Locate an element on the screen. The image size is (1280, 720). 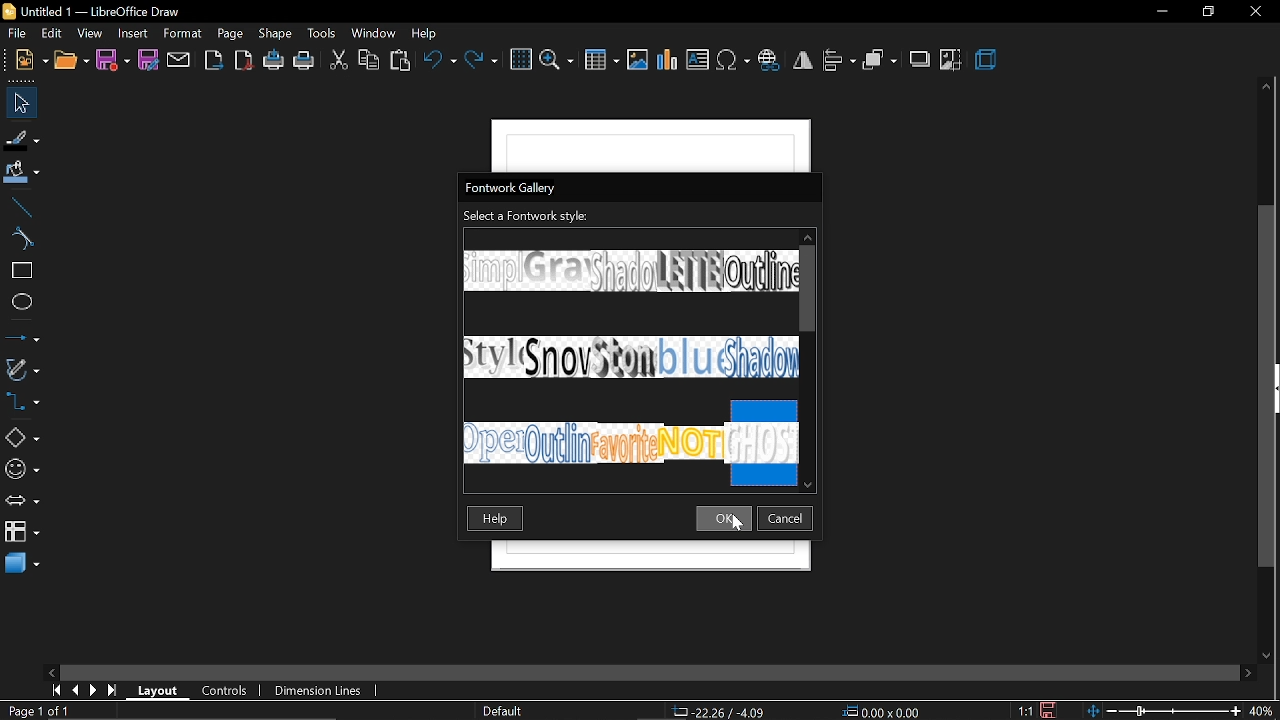
page is located at coordinates (230, 34).